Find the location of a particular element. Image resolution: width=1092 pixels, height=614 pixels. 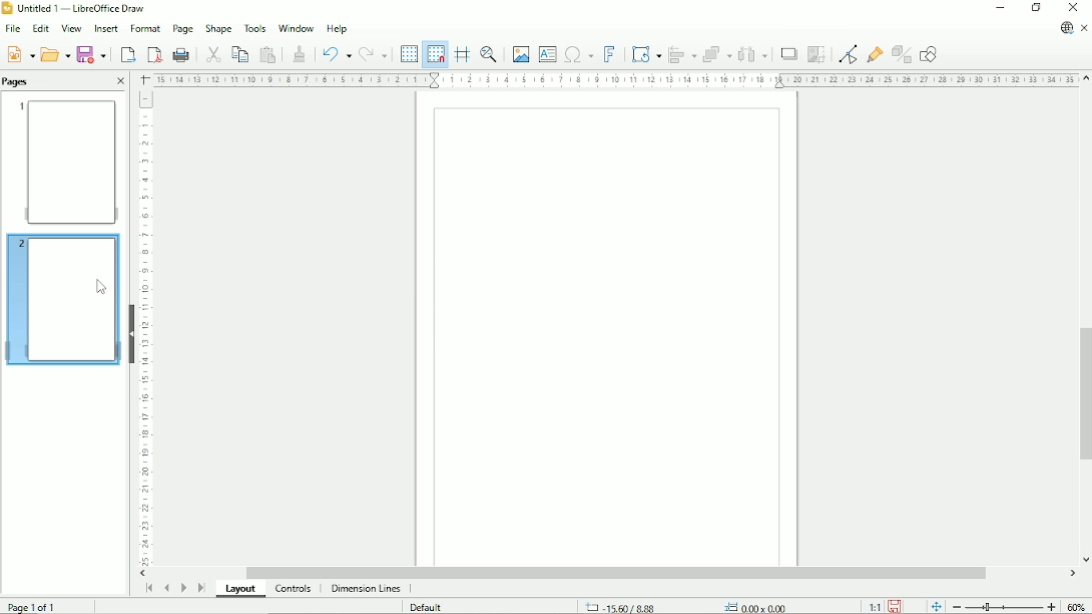

Display grid is located at coordinates (408, 53).